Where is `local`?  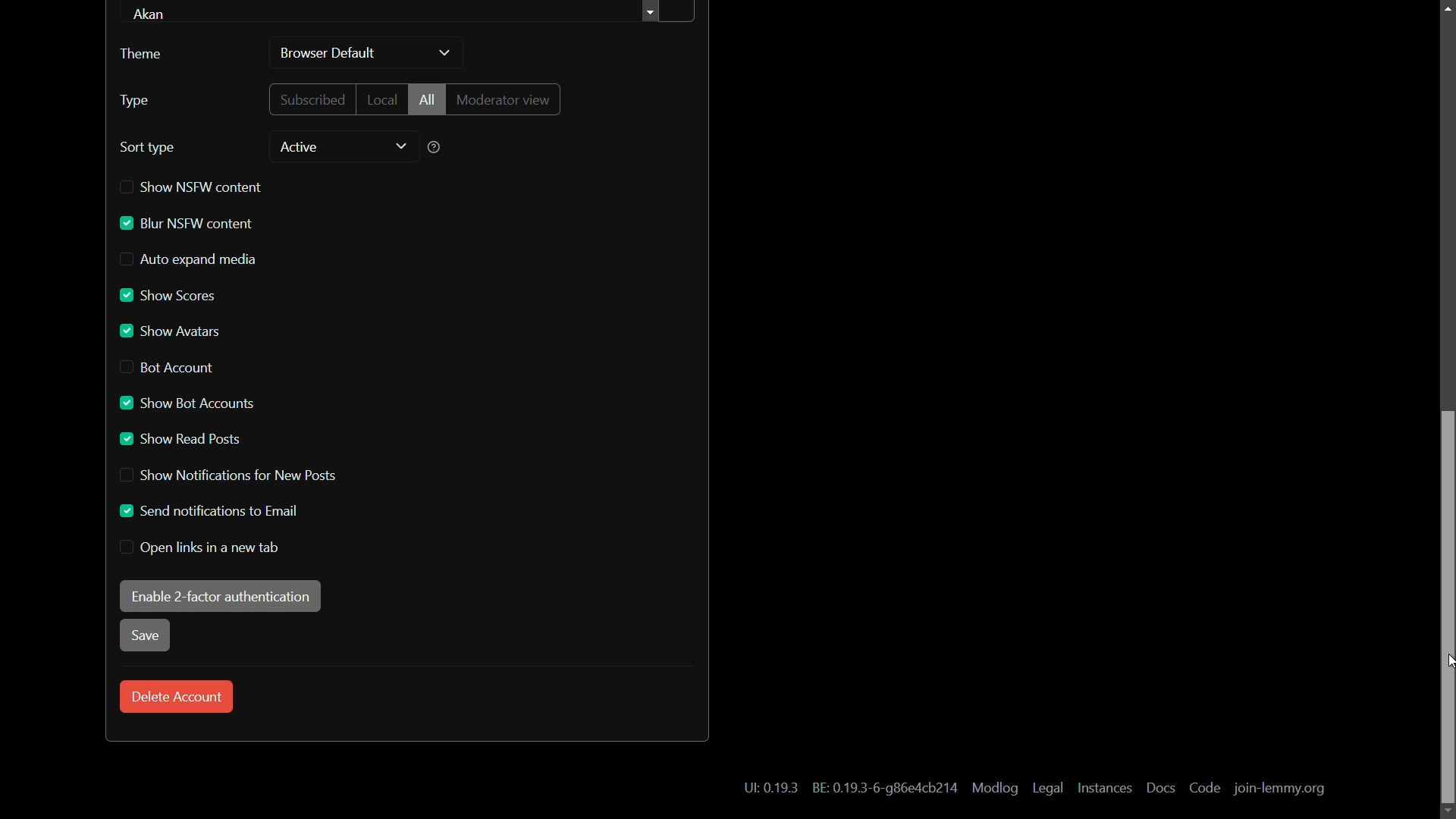 local is located at coordinates (381, 99).